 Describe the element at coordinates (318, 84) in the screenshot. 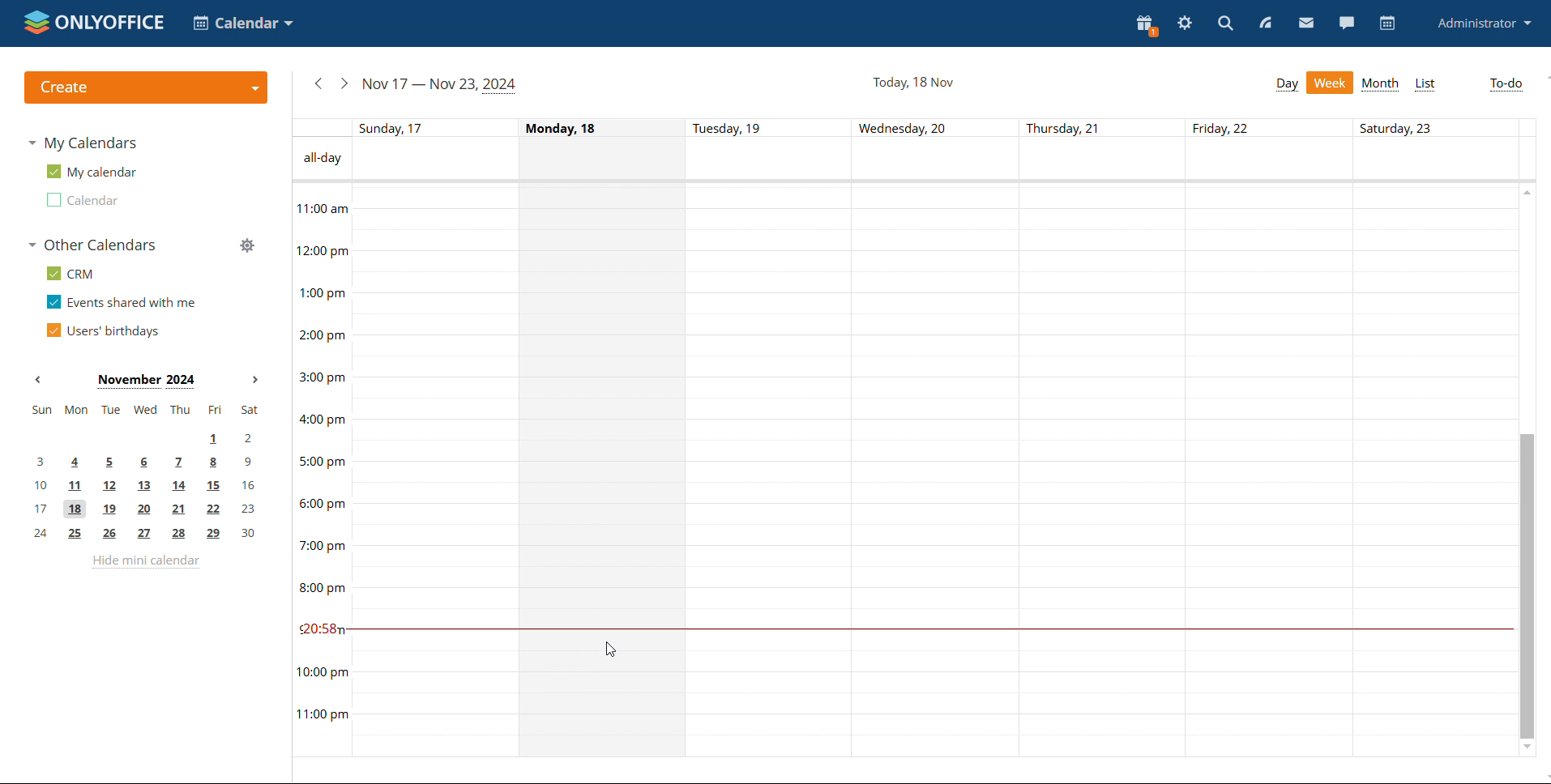

I see `previous week` at that location.